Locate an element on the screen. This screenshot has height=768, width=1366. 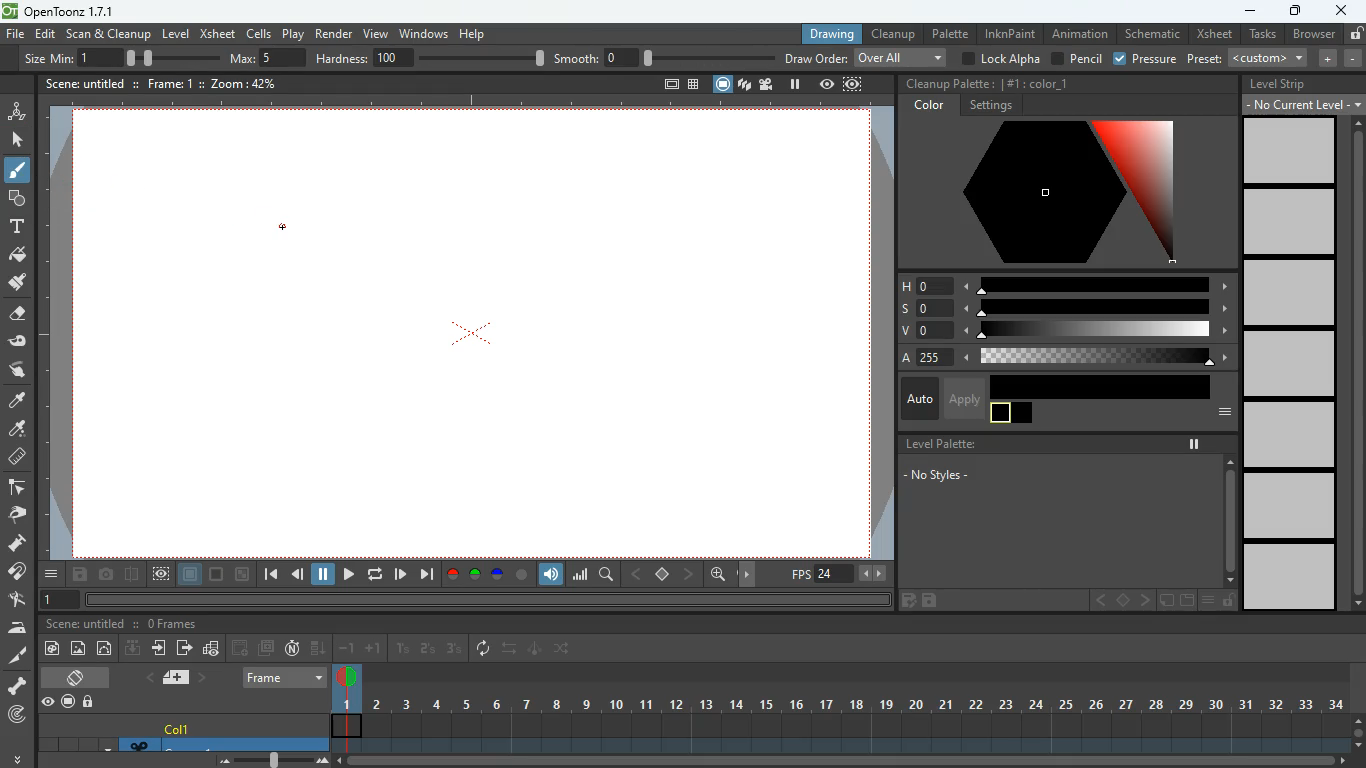
middle is located at coordinates (1124, 600).